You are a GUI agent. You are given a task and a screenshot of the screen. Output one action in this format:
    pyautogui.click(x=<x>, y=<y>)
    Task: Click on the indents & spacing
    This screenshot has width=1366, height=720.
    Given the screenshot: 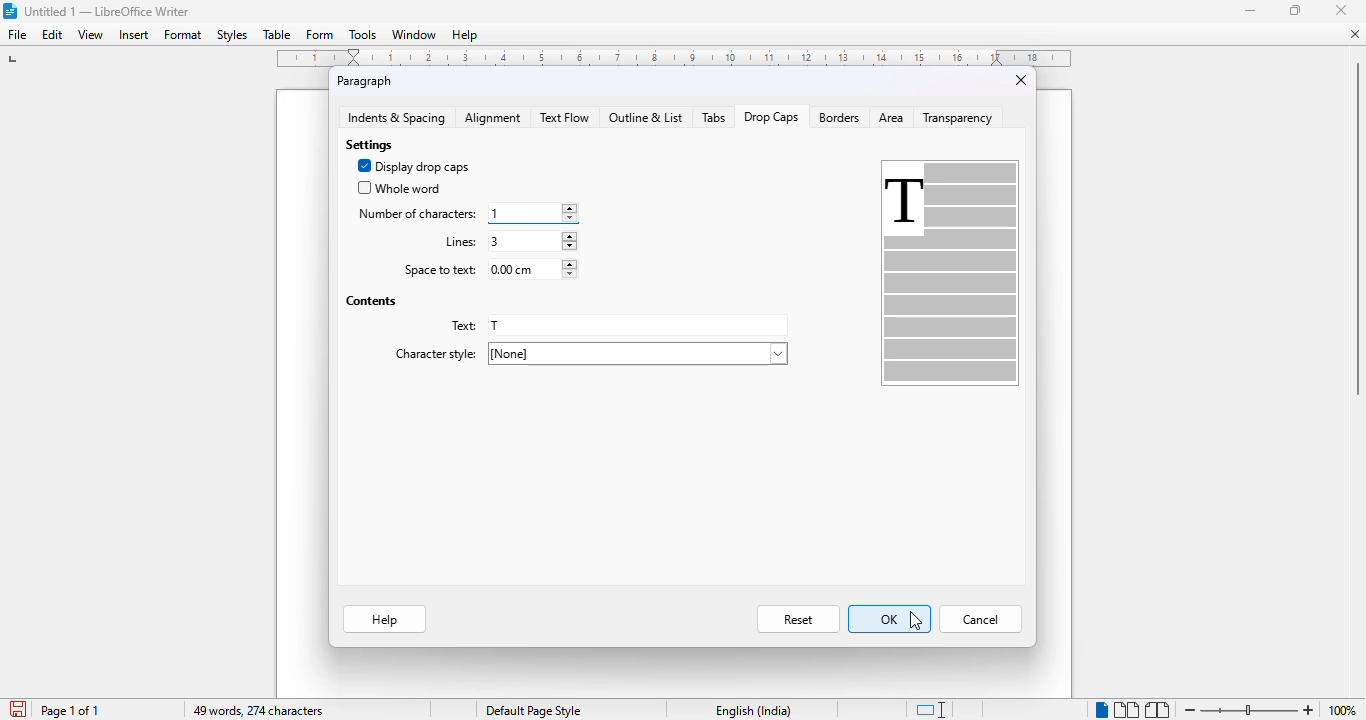 What is the action you would take?
    pyautogui.click(x=396, y=118)
    